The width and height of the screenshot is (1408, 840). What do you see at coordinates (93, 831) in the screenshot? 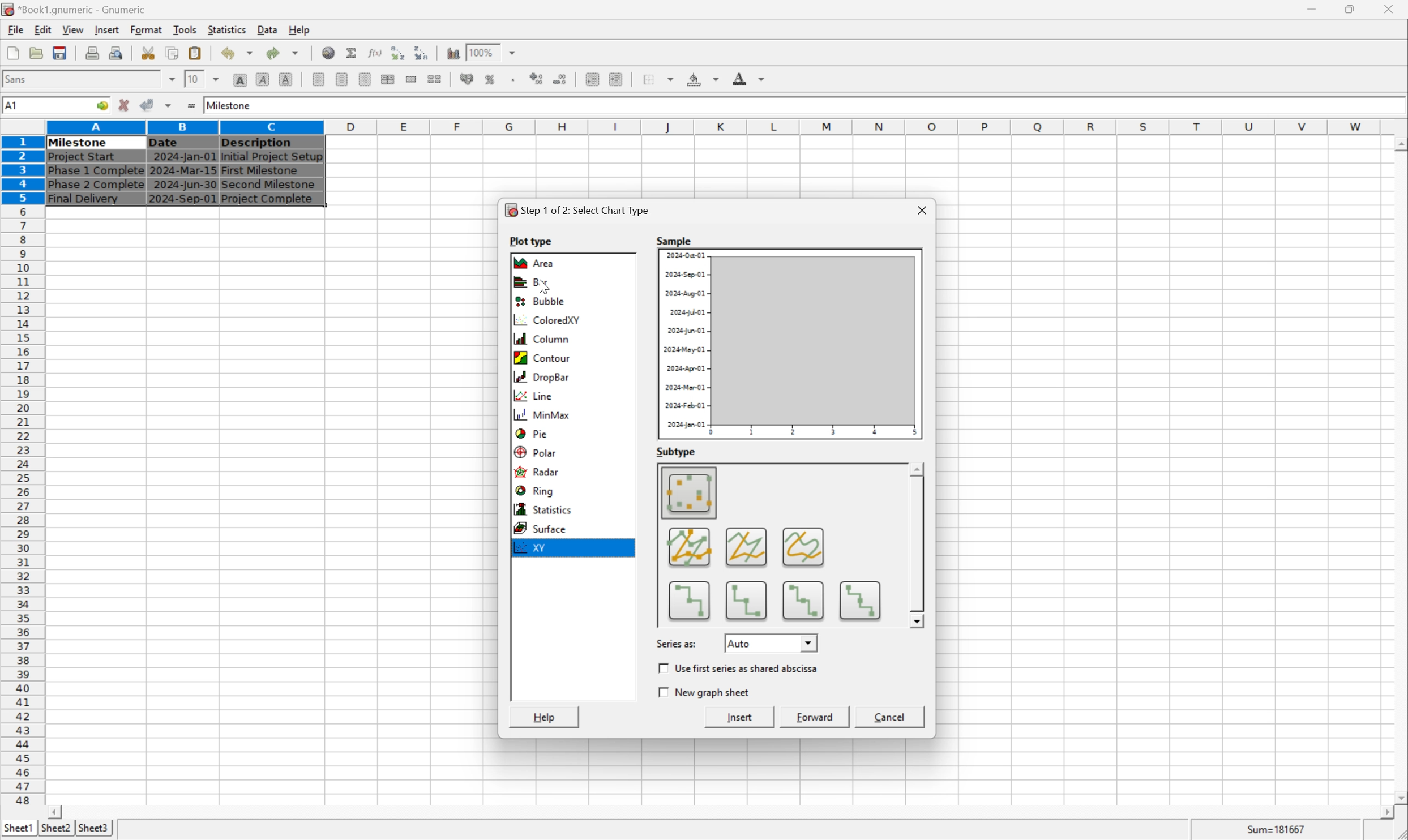
I see `sheet3` at bounding box center [93, 831].